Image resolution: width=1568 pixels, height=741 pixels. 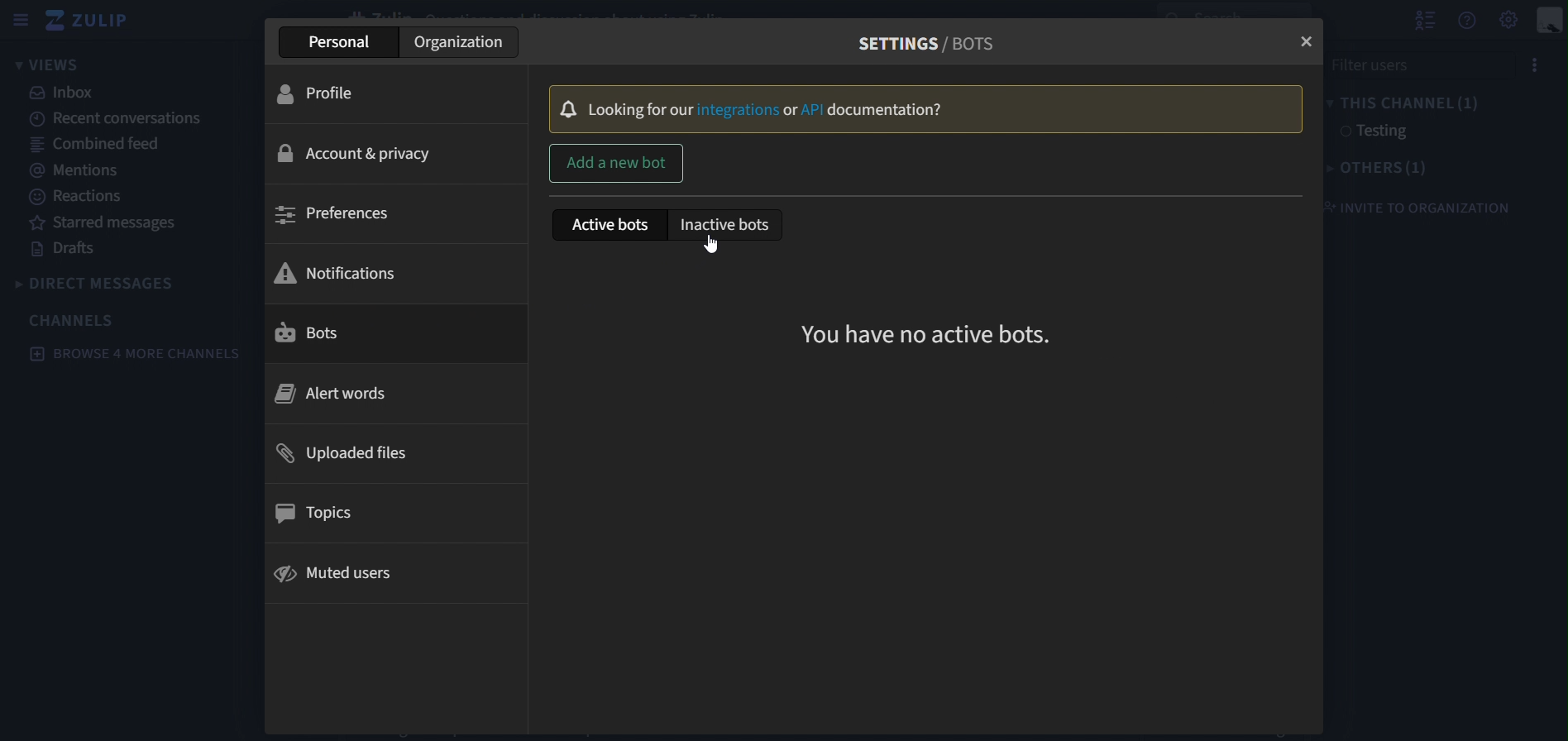 I want to click on or, so click(x=791, y=111).